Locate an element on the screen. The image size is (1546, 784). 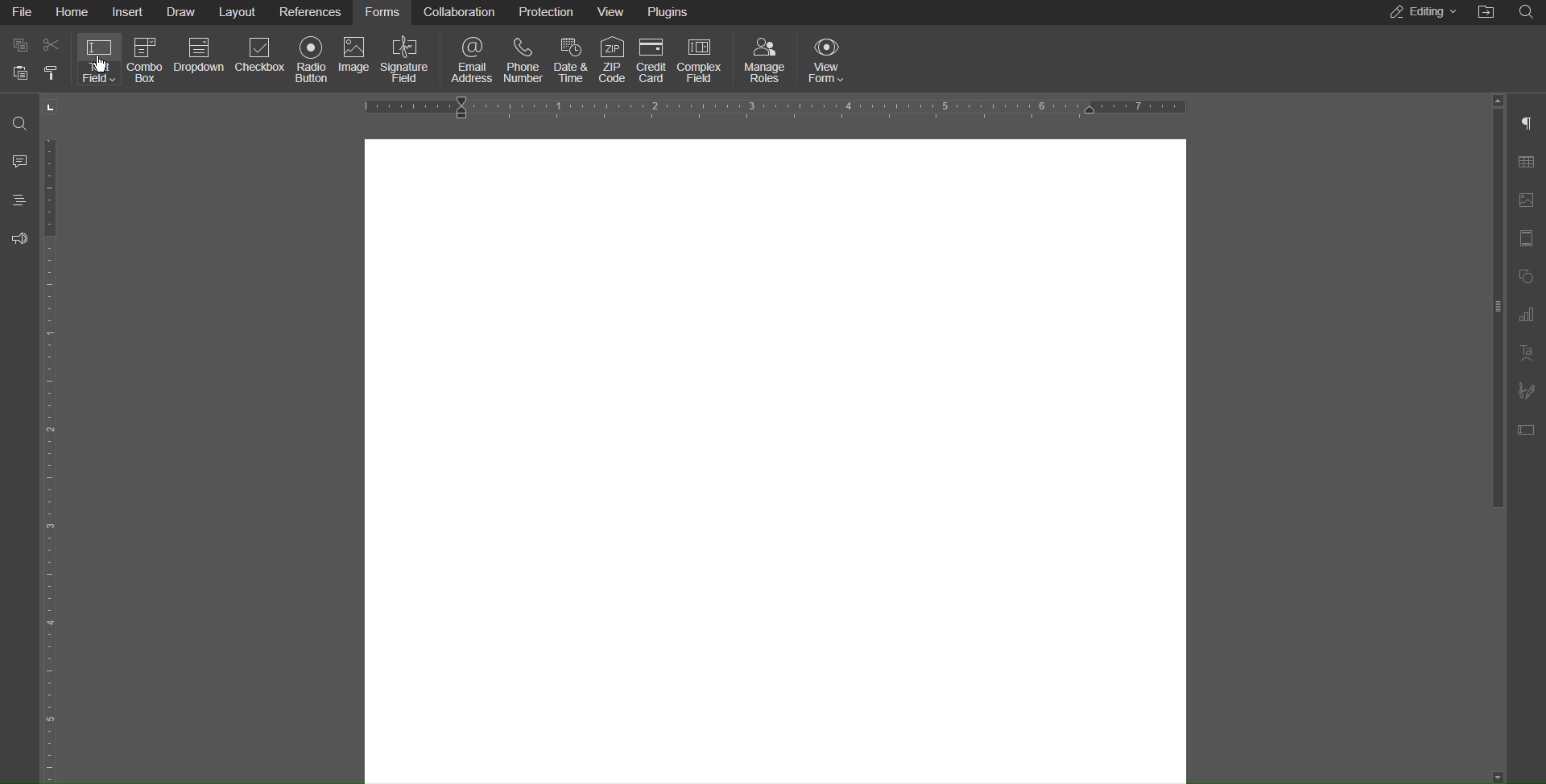
Draw is located at coordinates (181, 13).